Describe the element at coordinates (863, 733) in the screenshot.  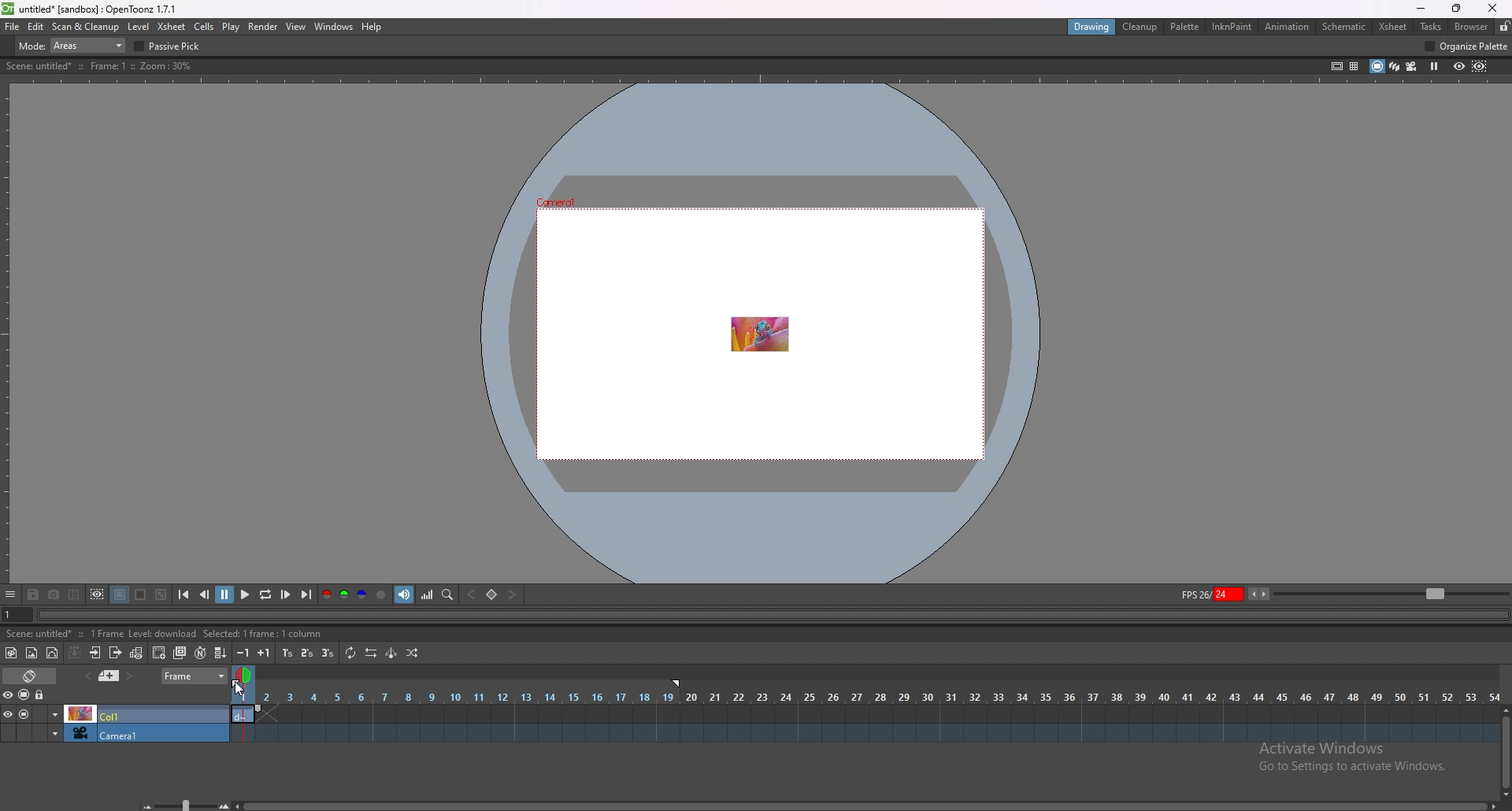
I see `timeline` at that location.